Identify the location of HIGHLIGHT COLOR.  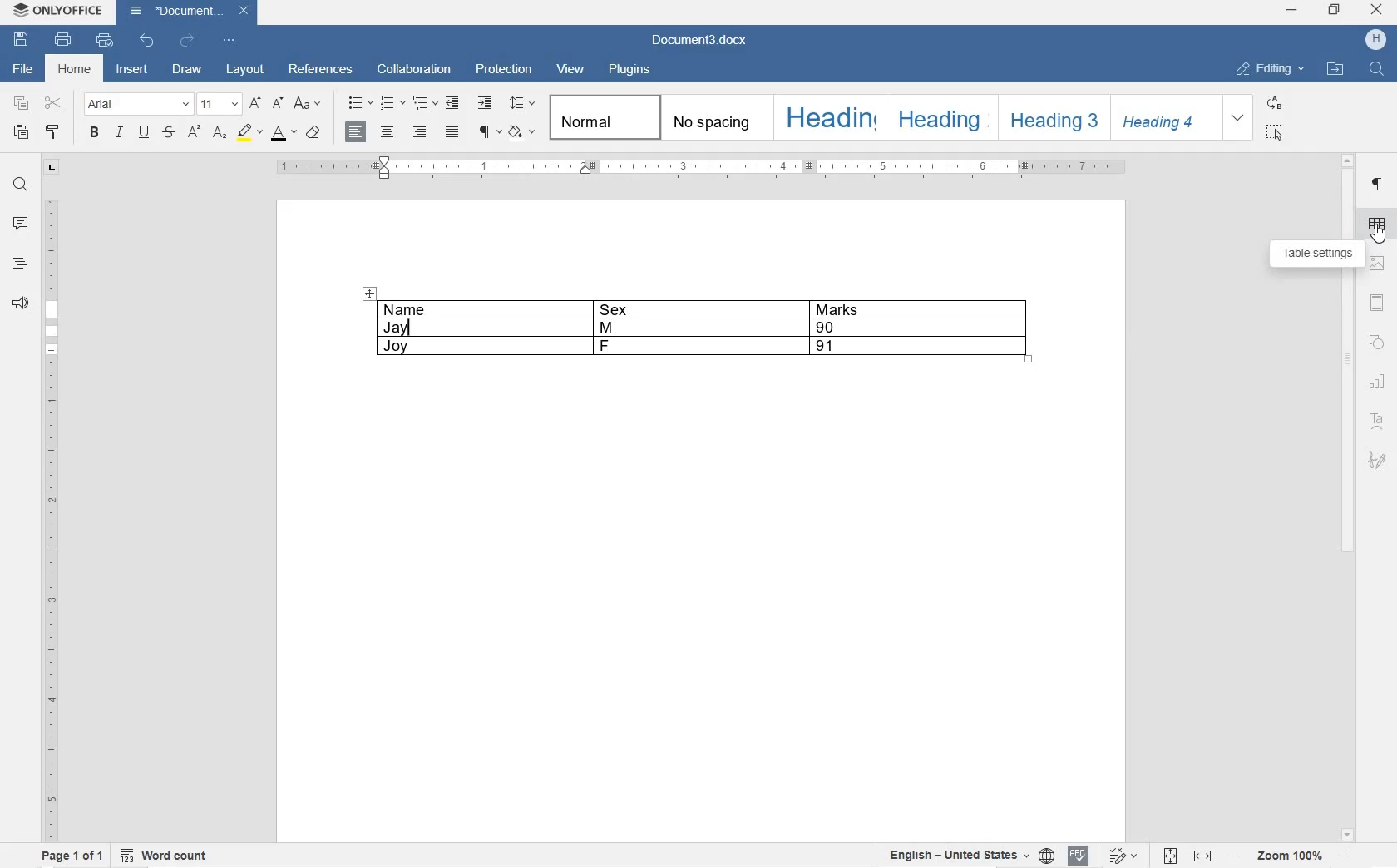
(250, 134).